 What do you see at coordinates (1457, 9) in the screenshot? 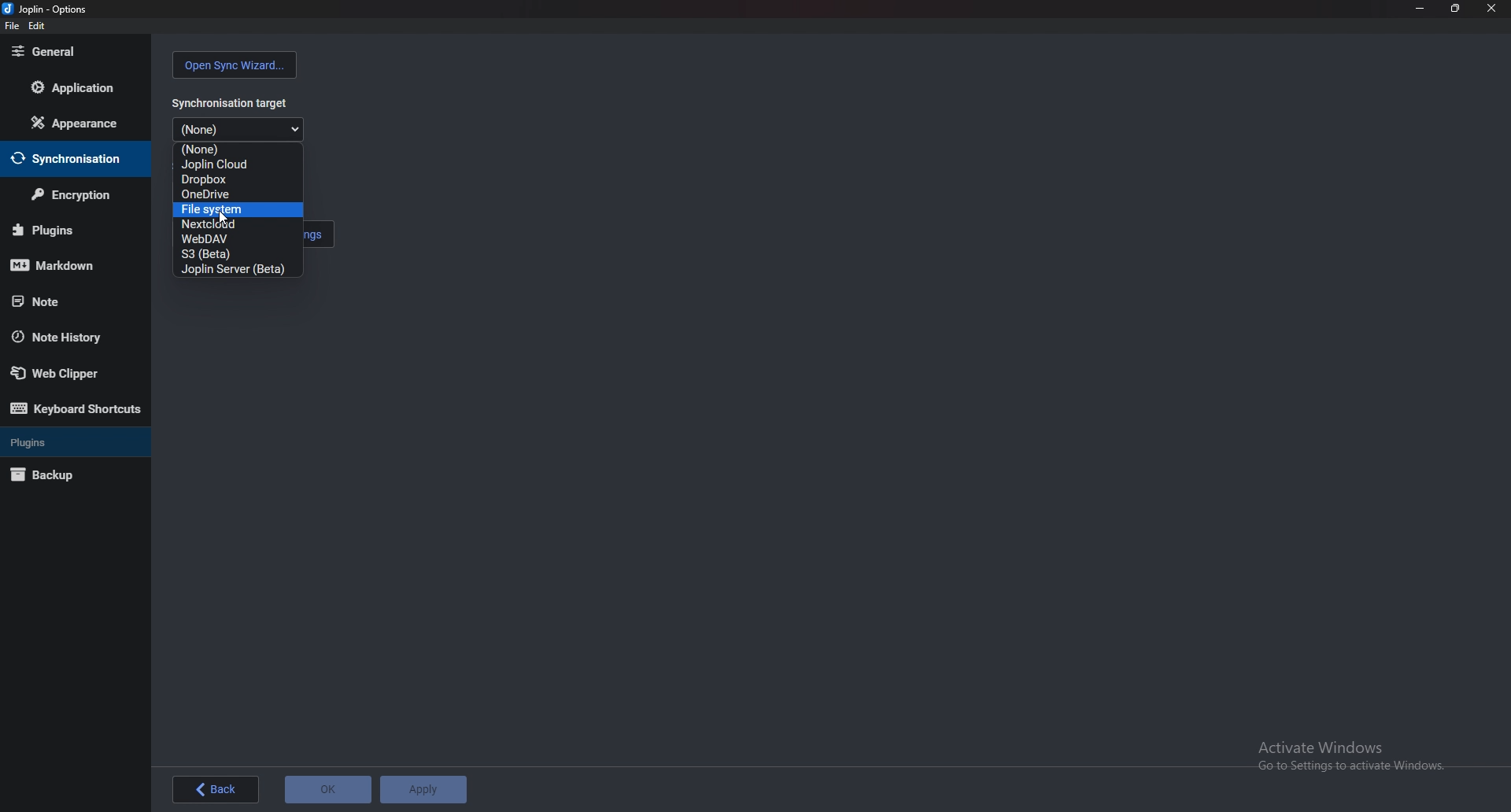
I see `Resize` at bounding box center [1457, 9].